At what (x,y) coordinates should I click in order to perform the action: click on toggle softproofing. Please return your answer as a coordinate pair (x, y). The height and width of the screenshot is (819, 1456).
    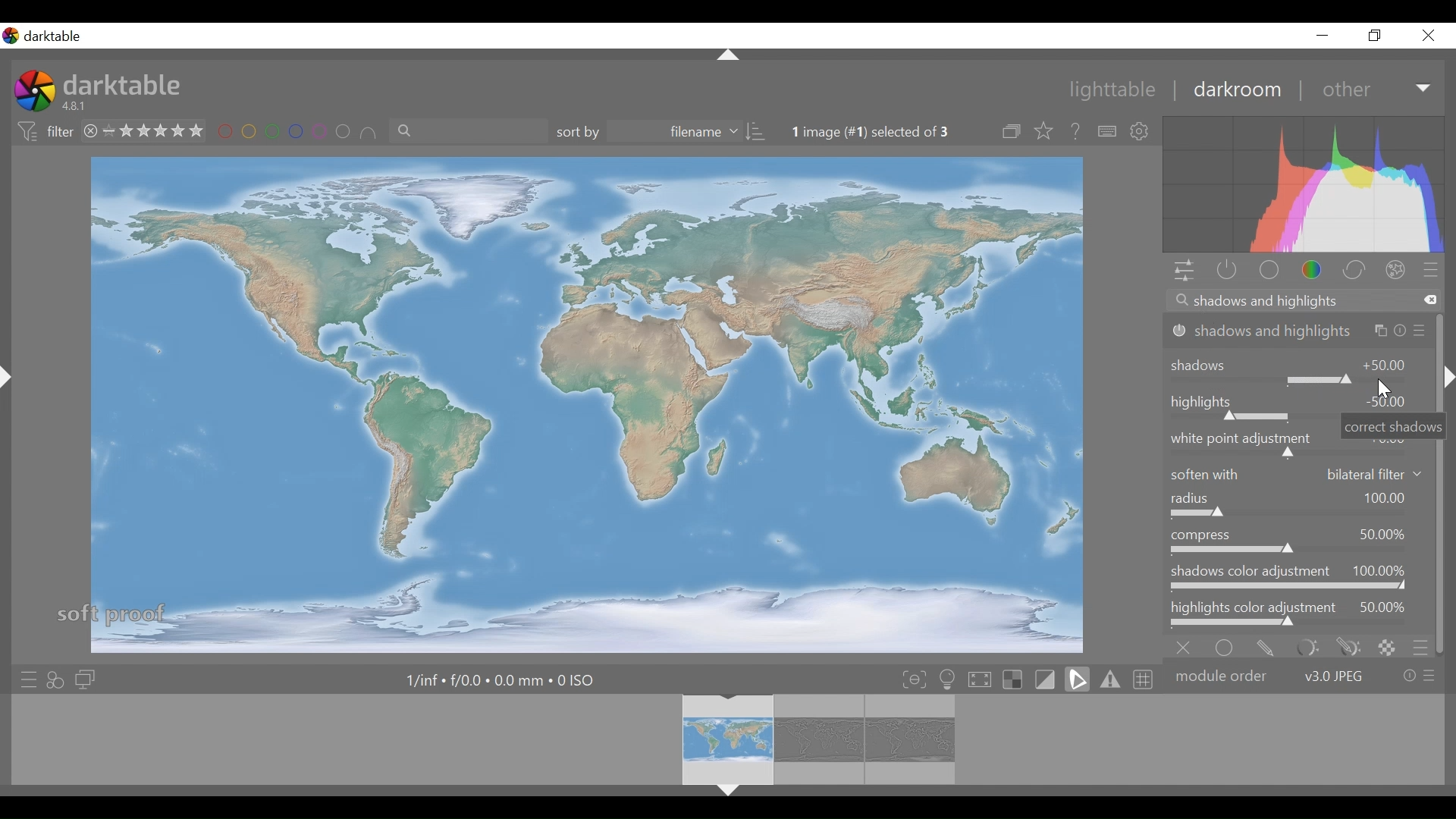
    Looking at the image, I should click on (1077, 679).